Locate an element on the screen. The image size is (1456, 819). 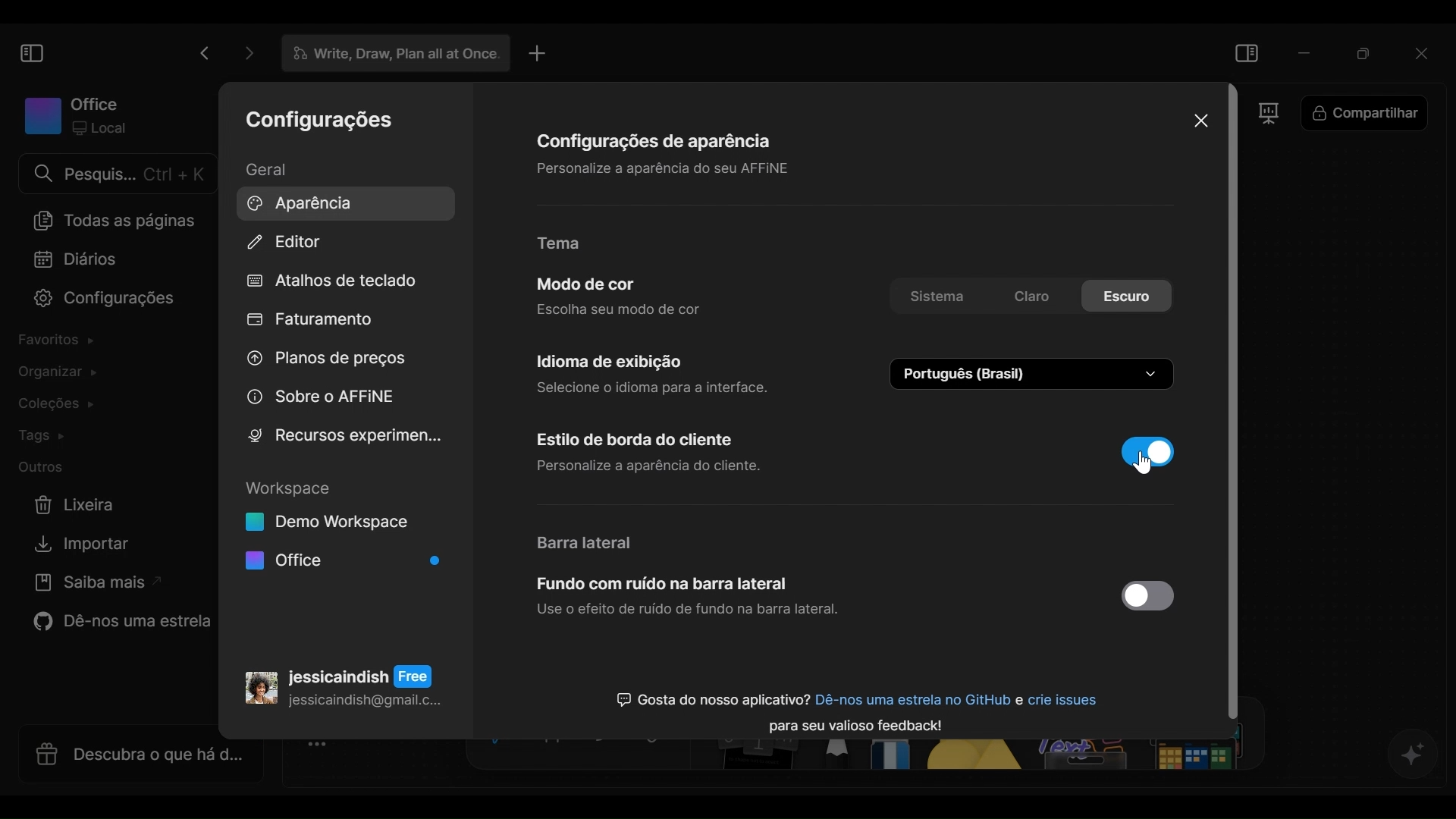
Click to go back is located at coordinates (204, 53).